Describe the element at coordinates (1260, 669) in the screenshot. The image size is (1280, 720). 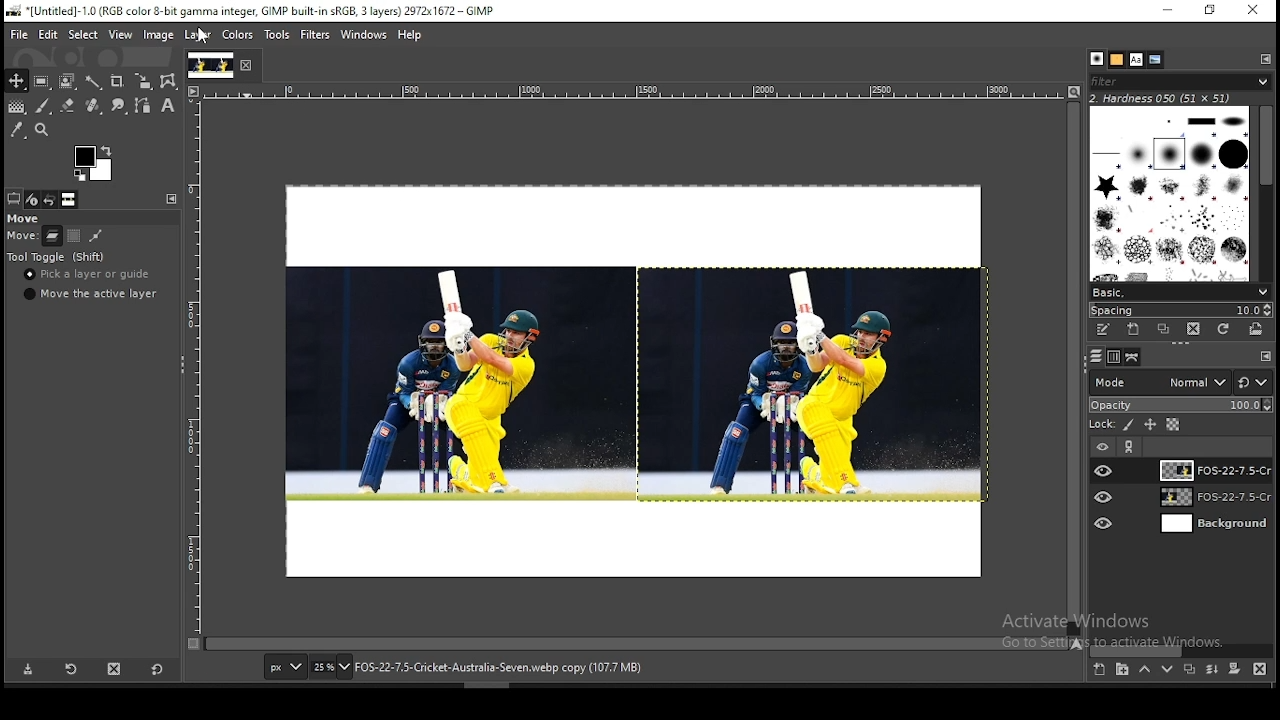
I see `delete layer` at that location.